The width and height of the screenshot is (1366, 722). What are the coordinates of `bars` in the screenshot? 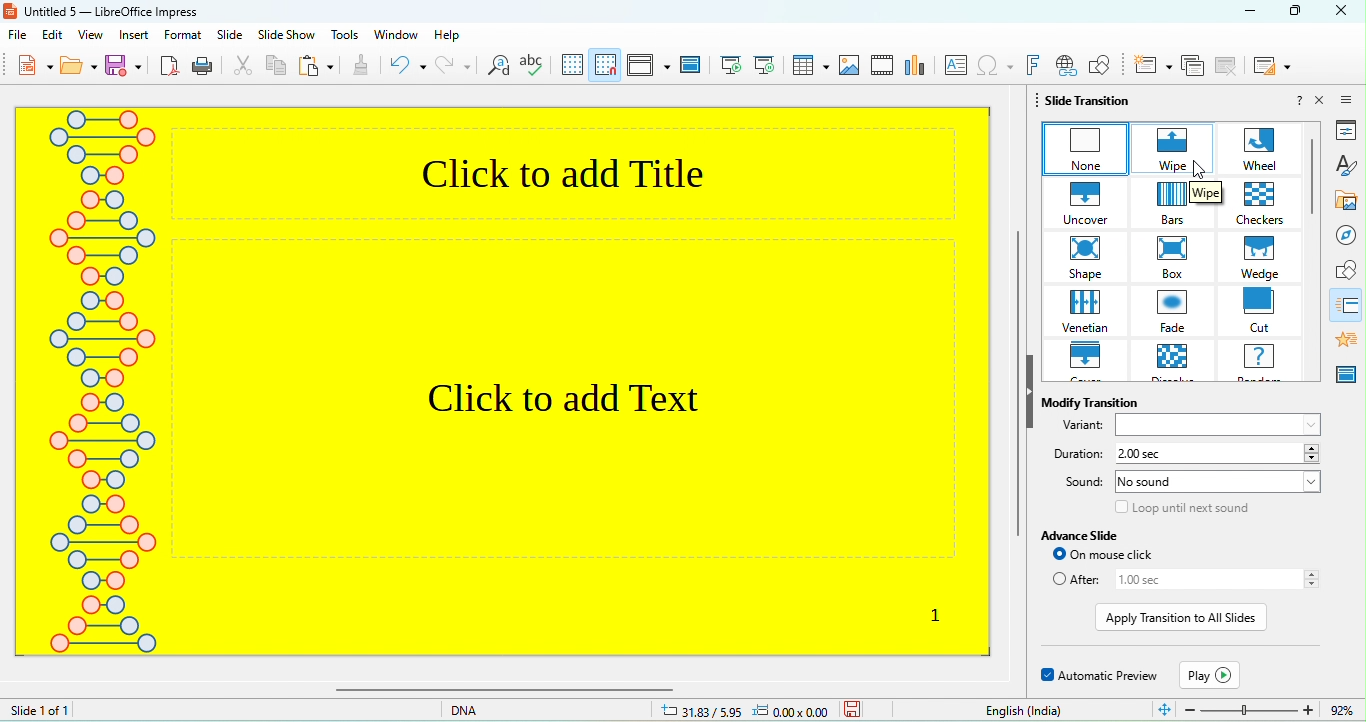 It's located at (1178, 204).